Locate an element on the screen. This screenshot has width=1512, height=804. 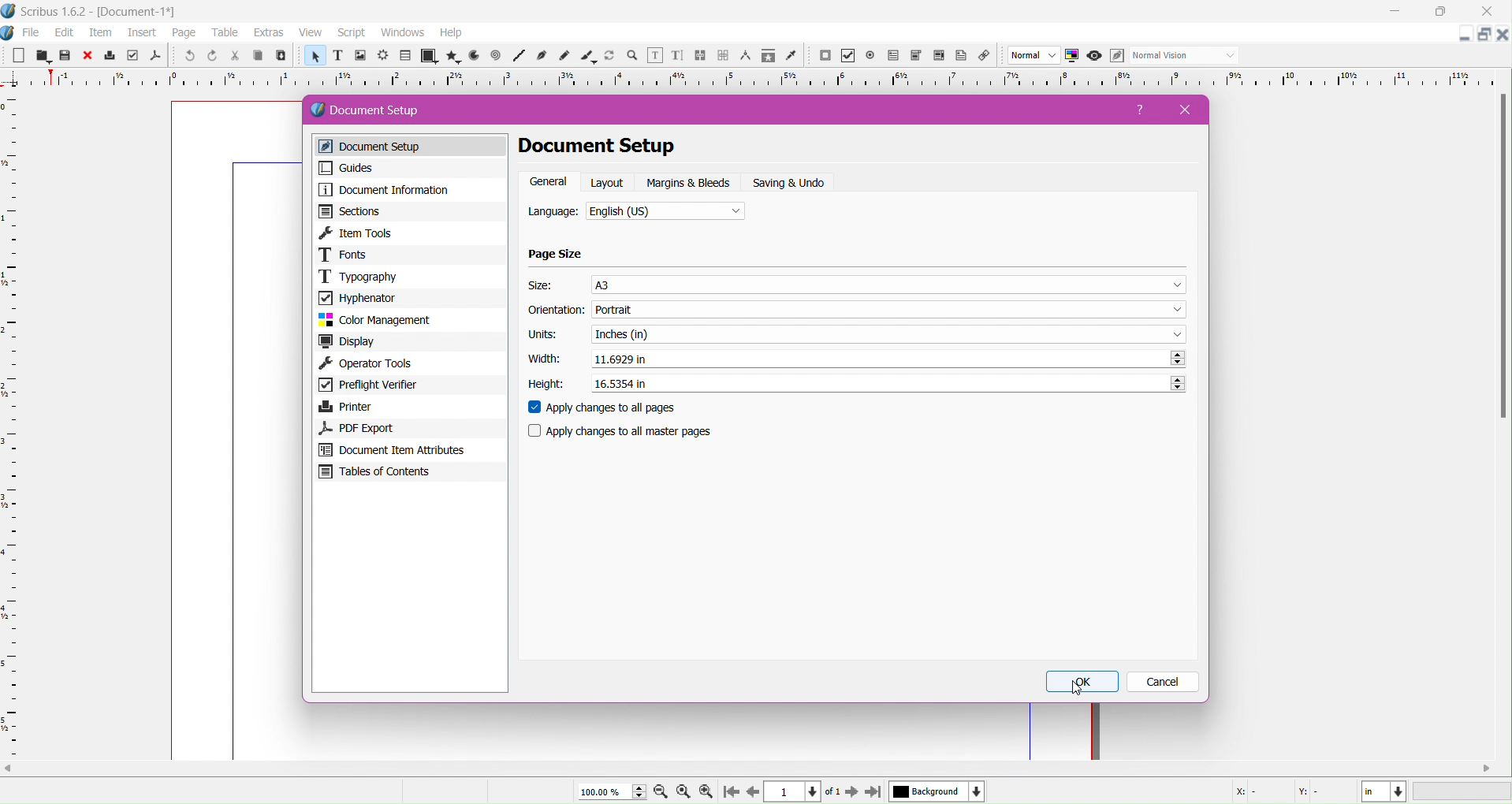
Layout is located at coordinates (609, 182).